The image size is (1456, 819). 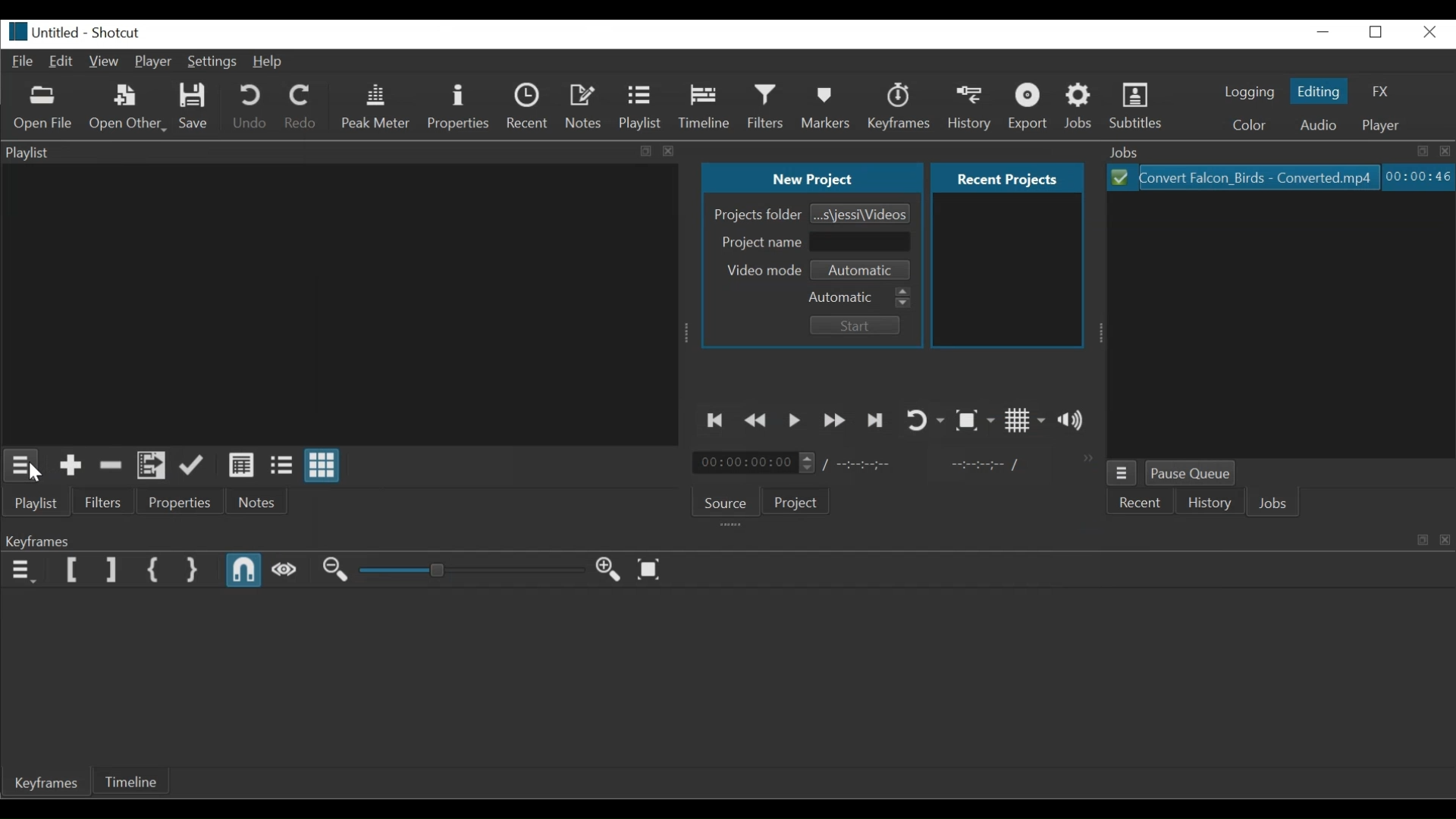 I want to click on Set Filter First, so click(x=74, y=570).